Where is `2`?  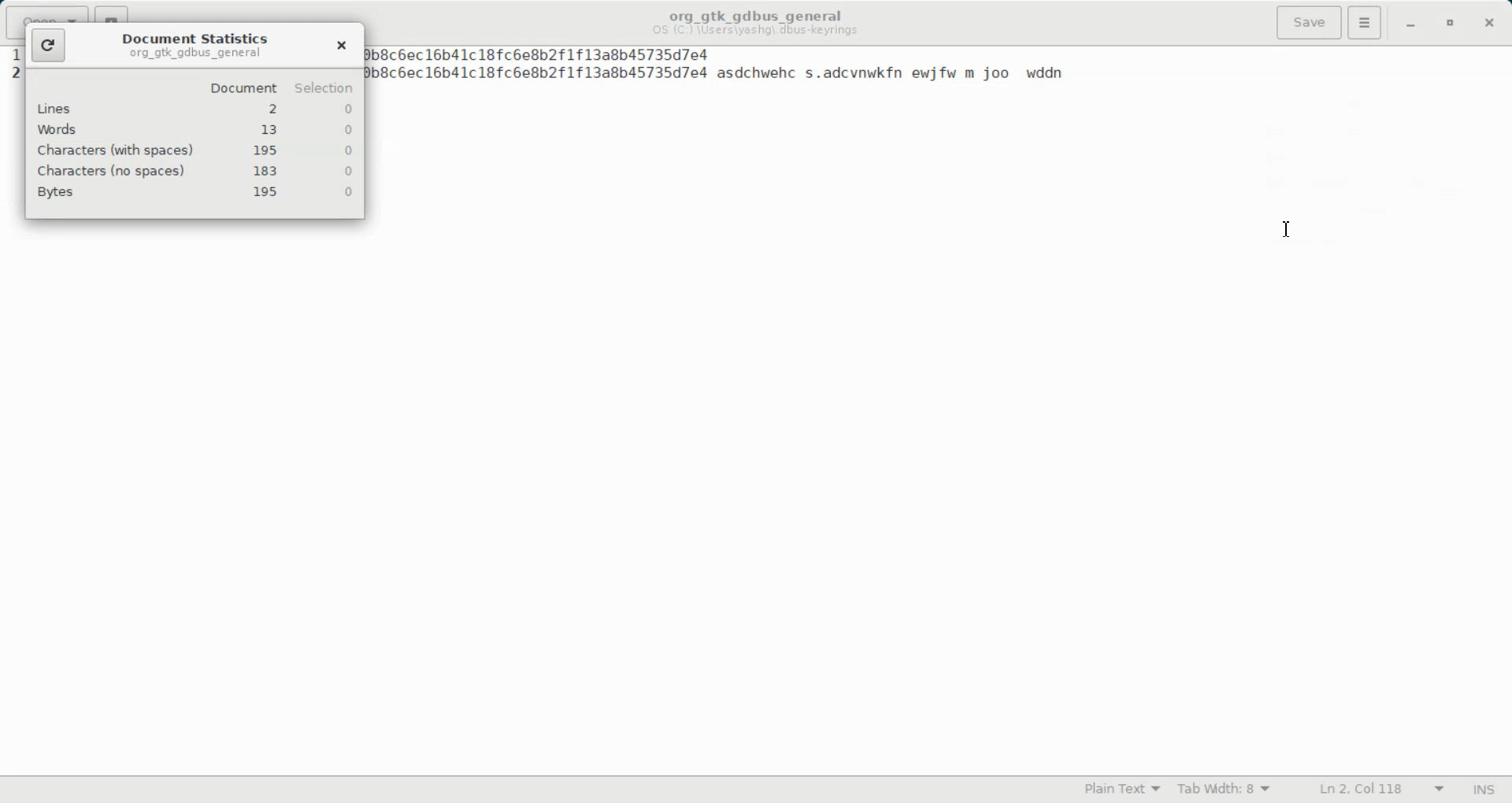
2 is located at coordinates (272, 109).